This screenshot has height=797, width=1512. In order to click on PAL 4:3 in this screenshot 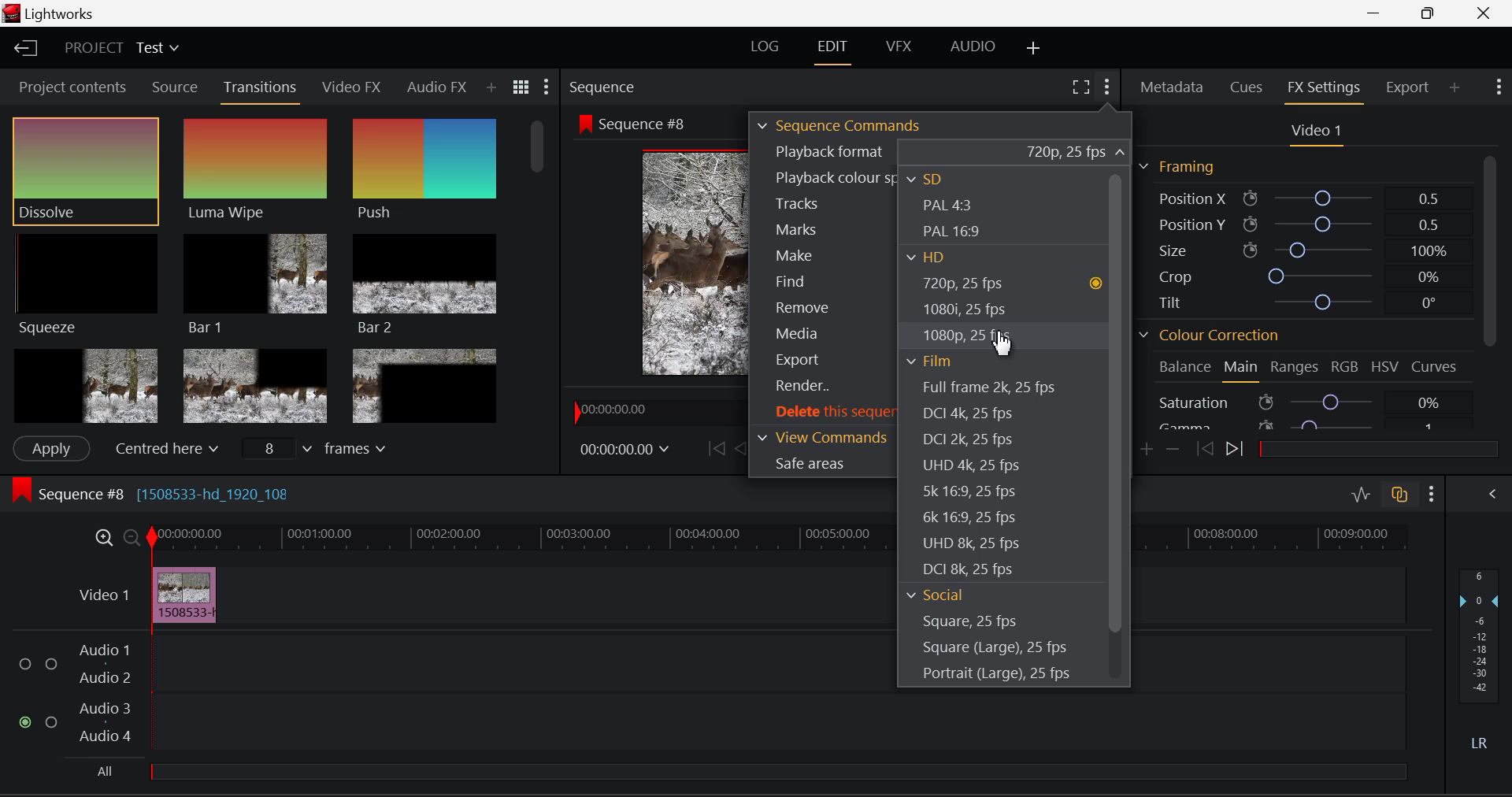, I will do `click(949, 206)`.